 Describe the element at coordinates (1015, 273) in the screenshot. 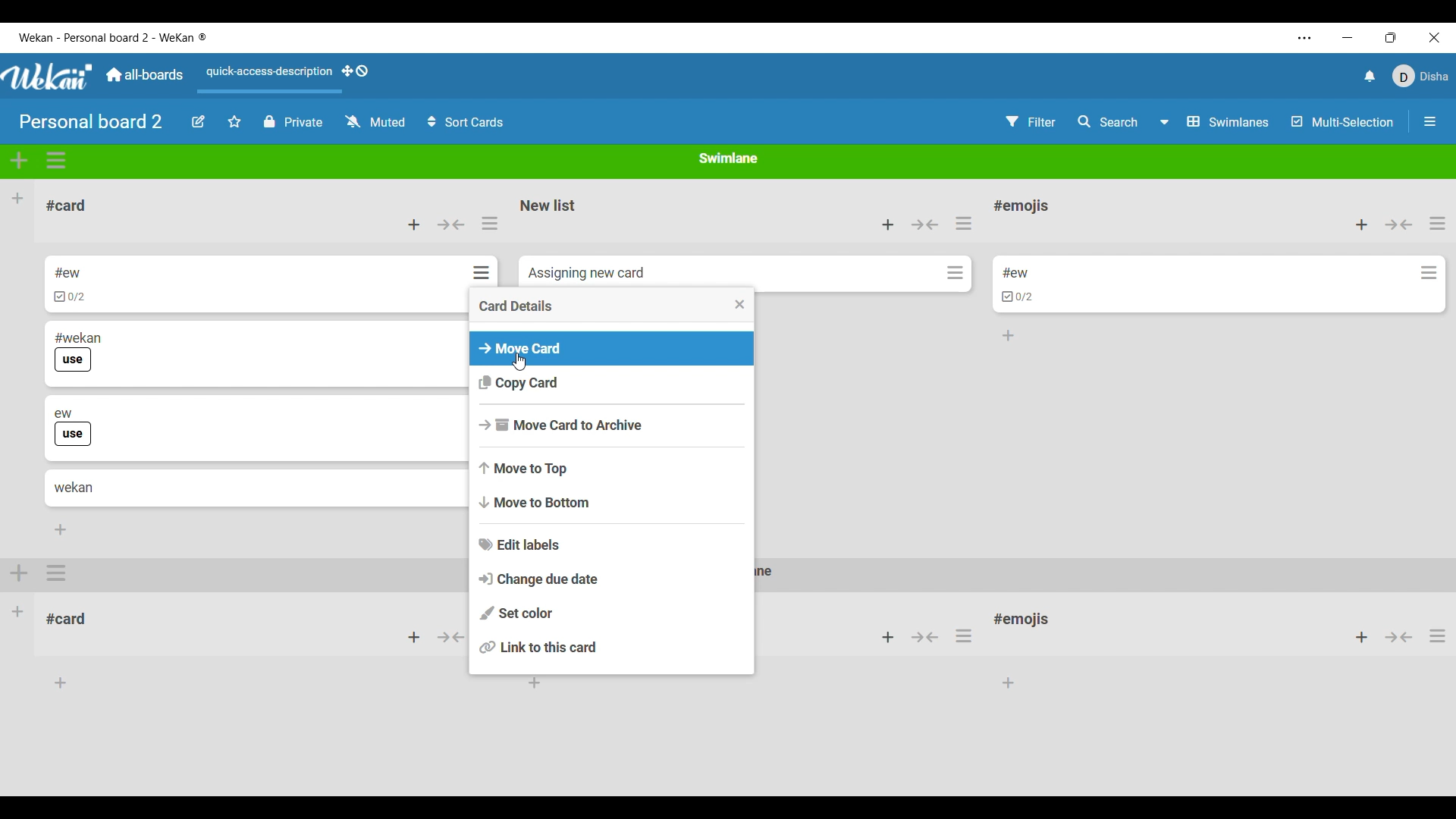

I see `Card name` at that location.